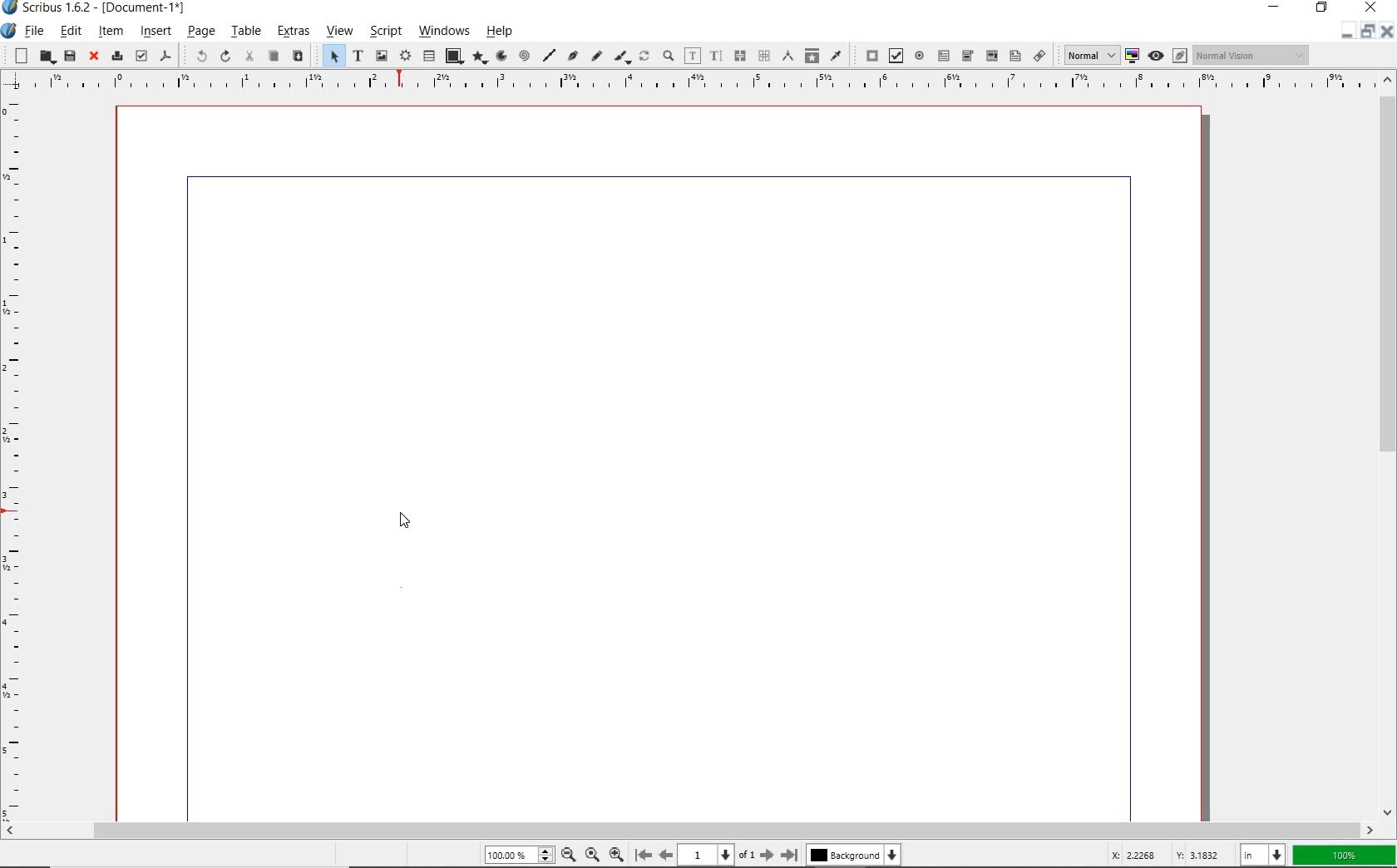 The image size is (1397, 868). What do you see at coordinates (1265, 854) in the screenshot?
I see `in` at bounding box center [1265, 854].